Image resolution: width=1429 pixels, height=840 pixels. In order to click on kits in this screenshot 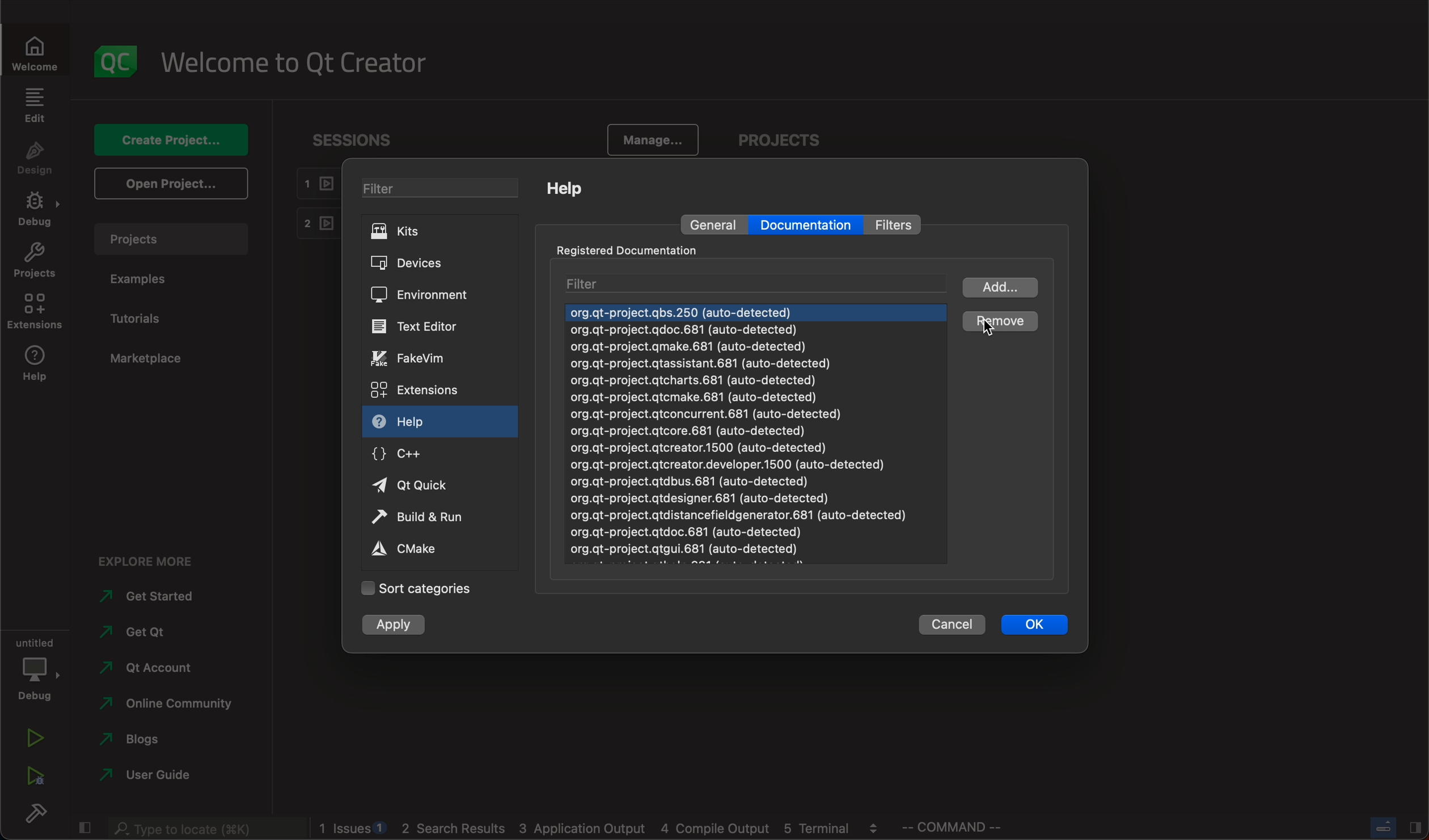, I will do `click(445, 234)`.